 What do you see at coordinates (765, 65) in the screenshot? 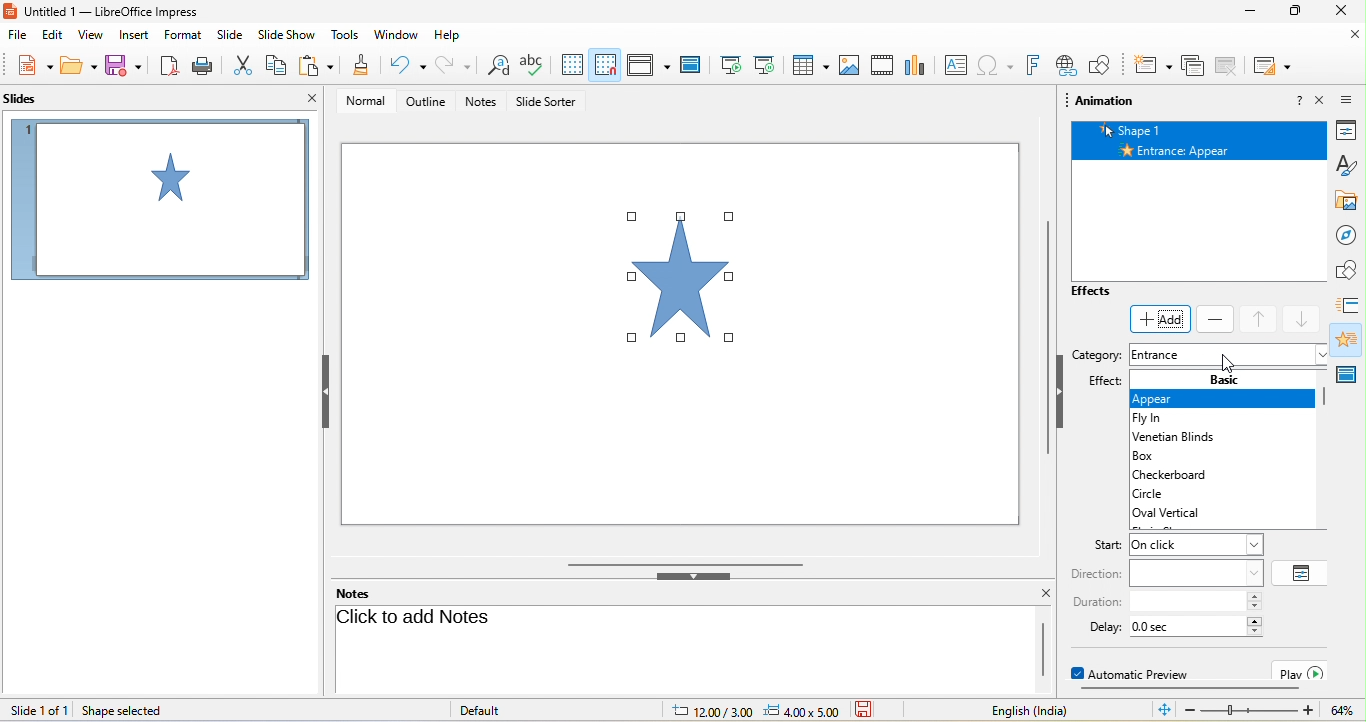
I see `start from current slide` at bounding box center [765, 65].